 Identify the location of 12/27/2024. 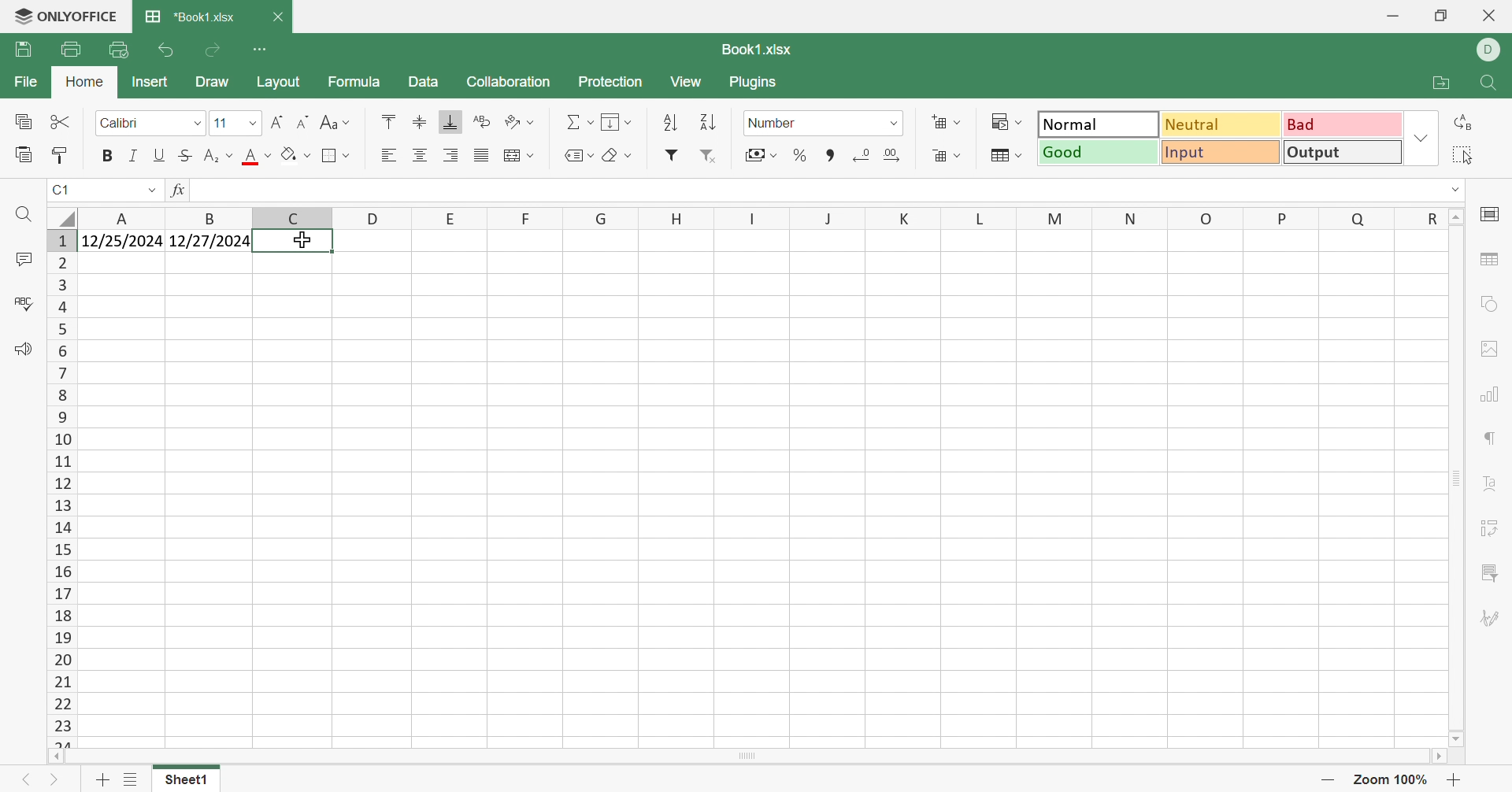
(212, 242).